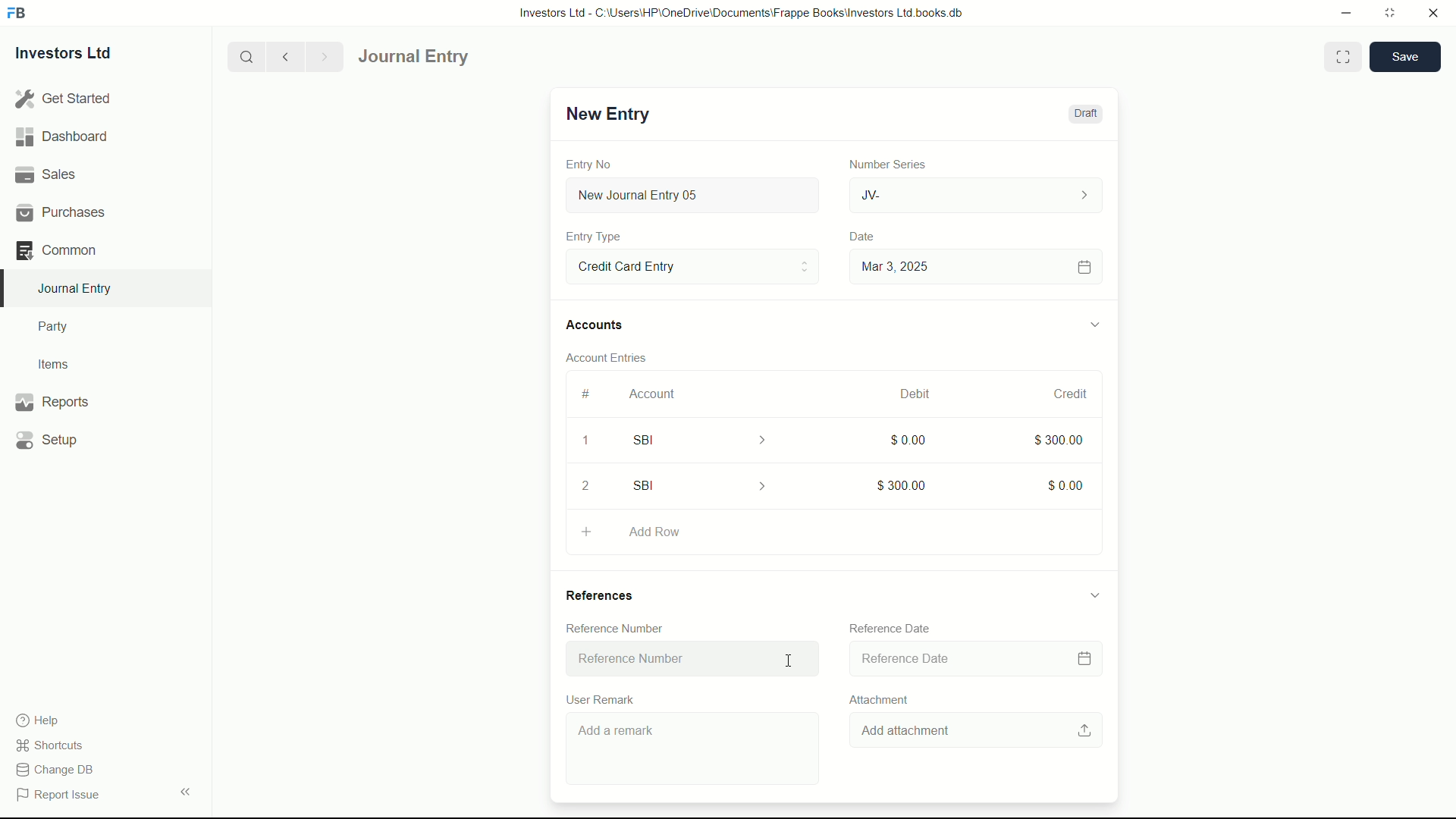  I want to click on search, so click(245, 55).